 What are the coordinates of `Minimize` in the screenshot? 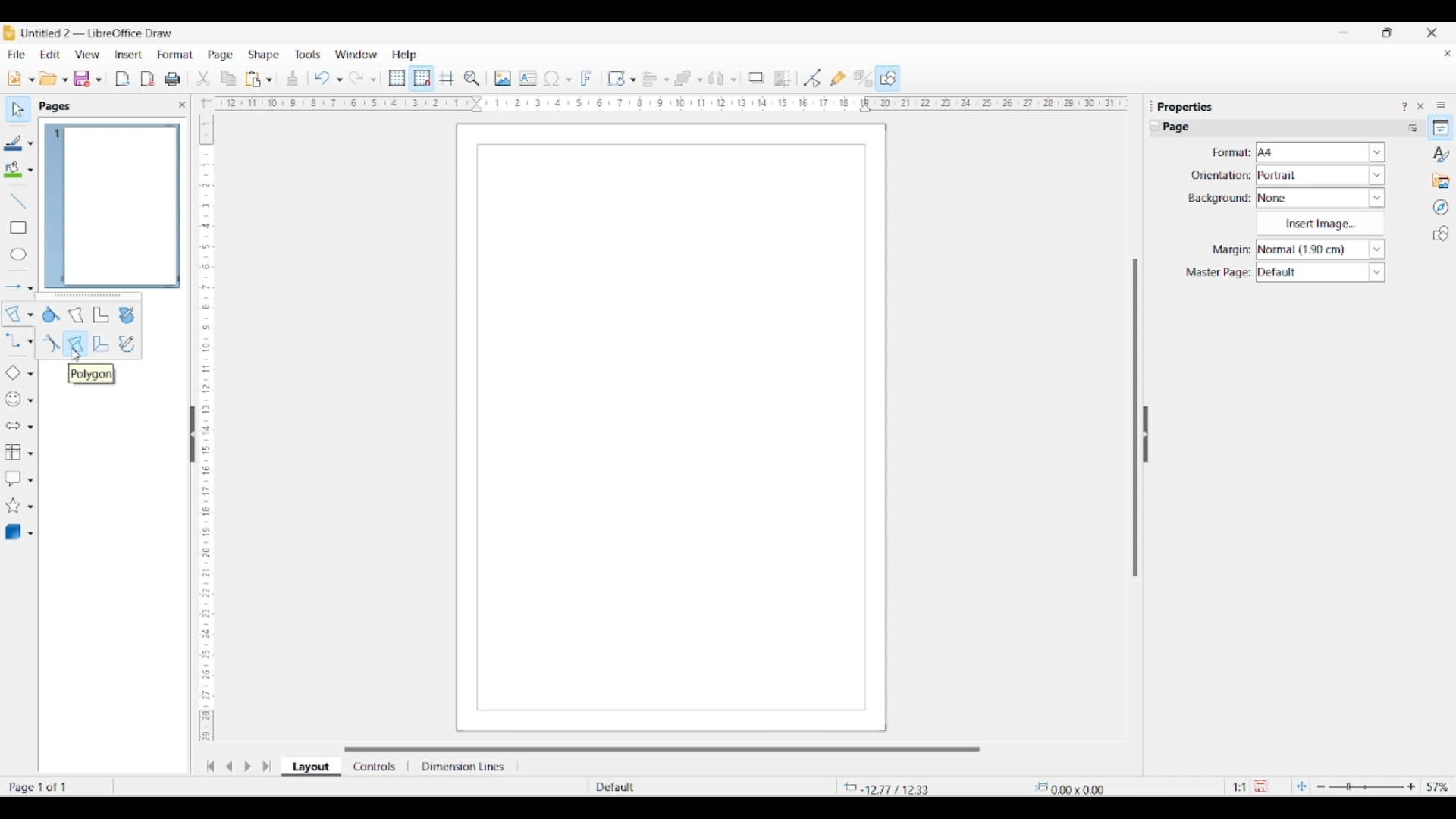 It's located at (1344, 33).